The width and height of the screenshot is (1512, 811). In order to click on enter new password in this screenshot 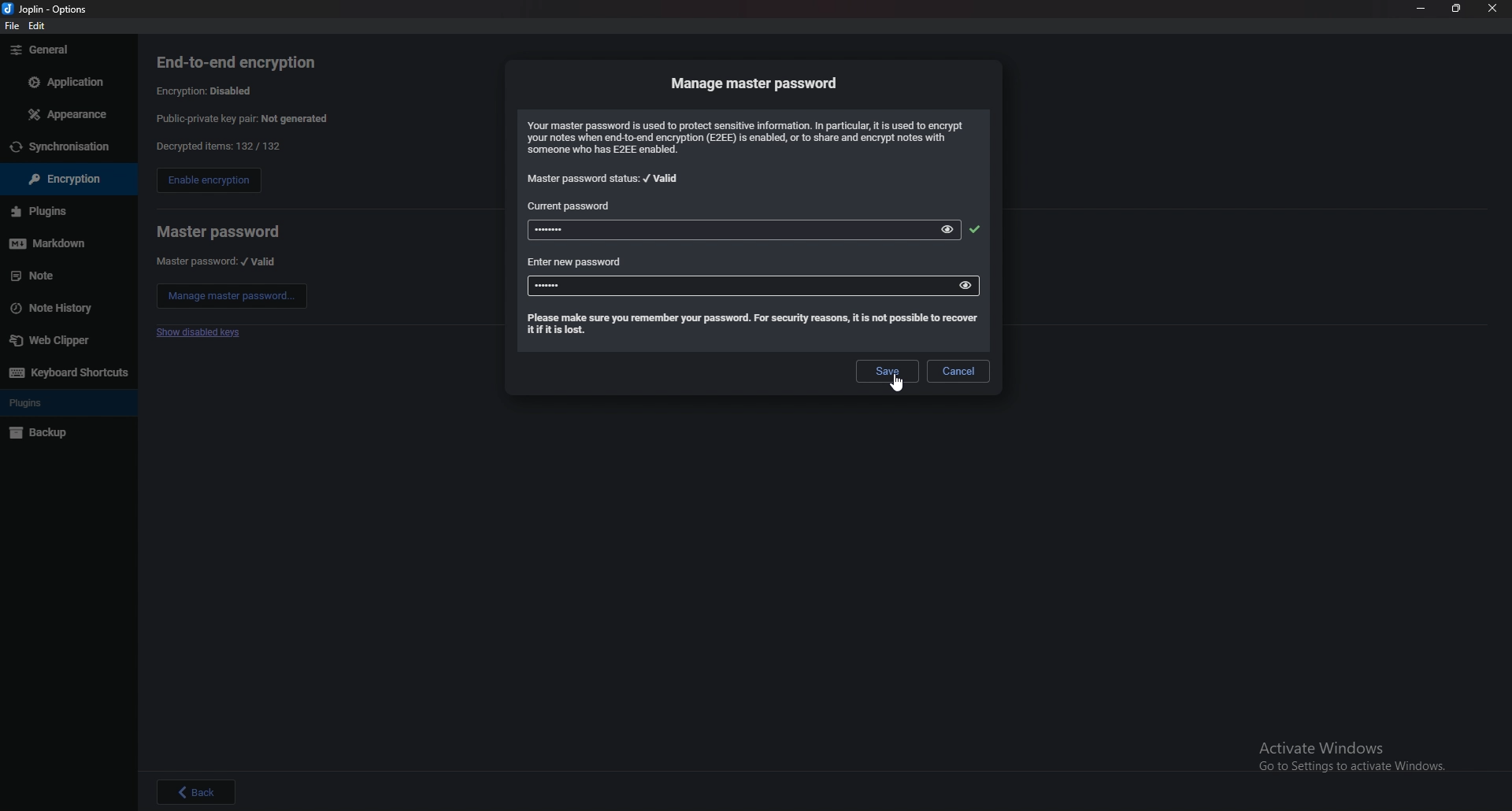, I will do `click(576, 262)`.